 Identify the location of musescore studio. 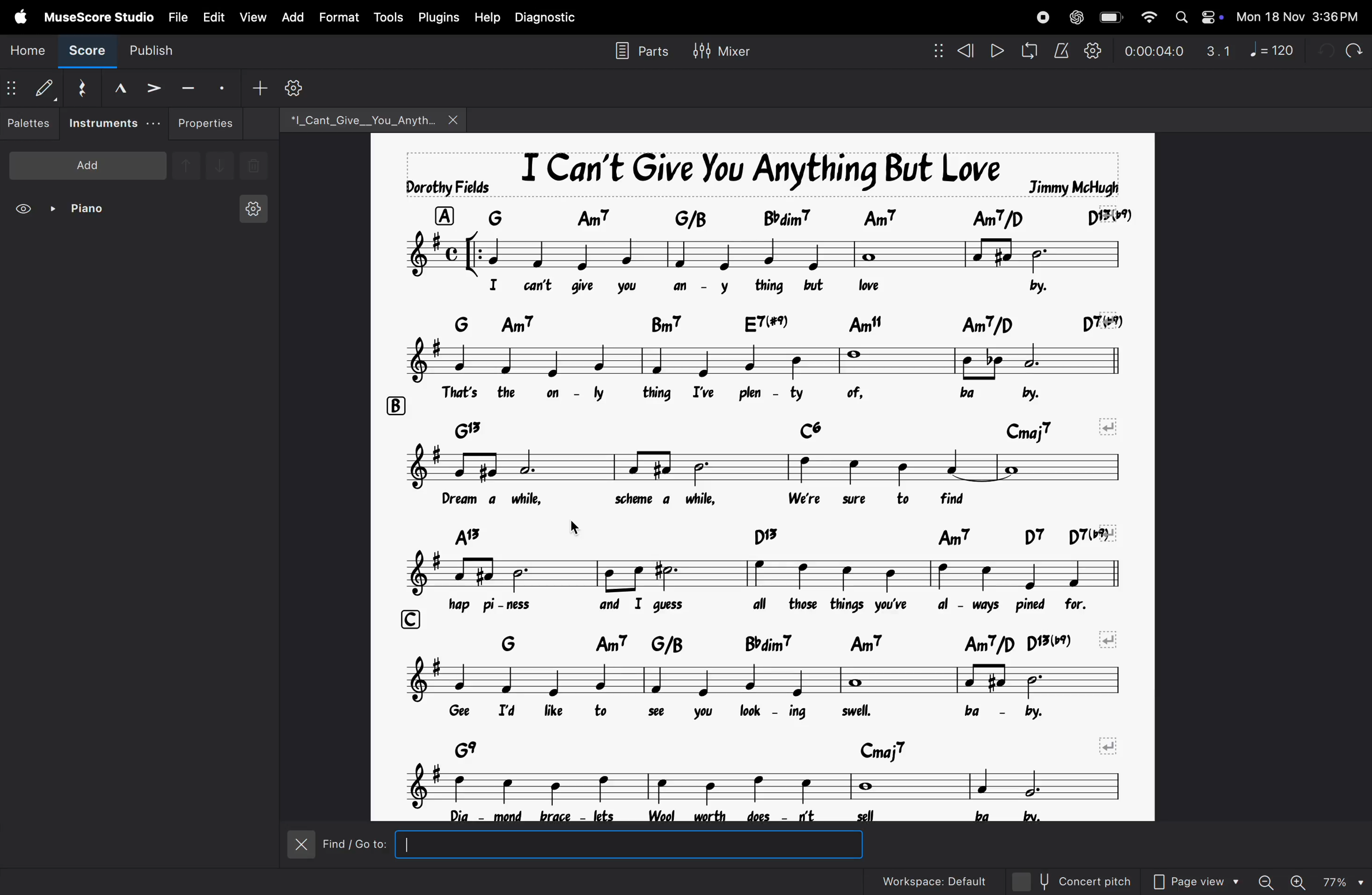
(96, 16).